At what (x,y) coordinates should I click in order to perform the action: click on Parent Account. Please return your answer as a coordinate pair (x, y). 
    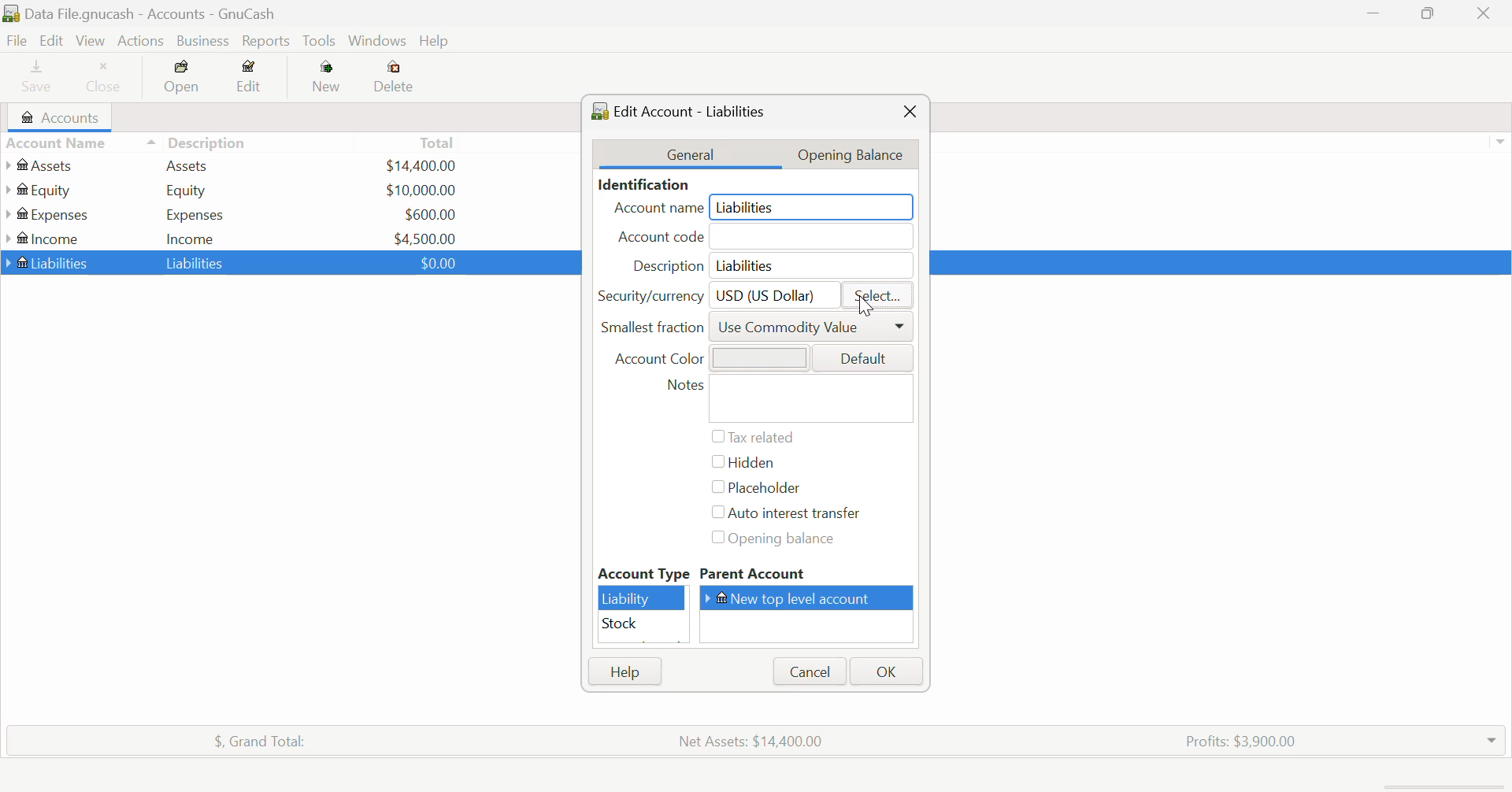
    Looking at the image, I should click on (809, 575).